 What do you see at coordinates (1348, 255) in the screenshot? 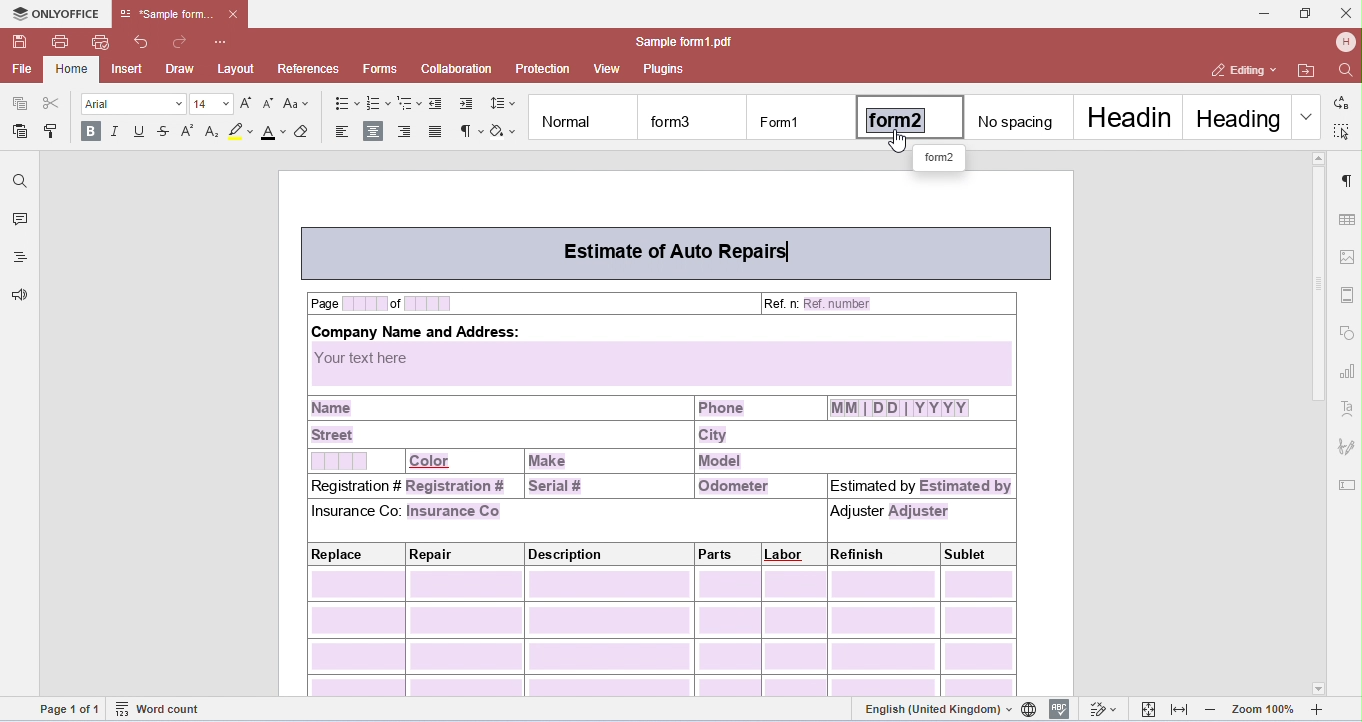
I see `image settings` at bounding box center [1348, 255].